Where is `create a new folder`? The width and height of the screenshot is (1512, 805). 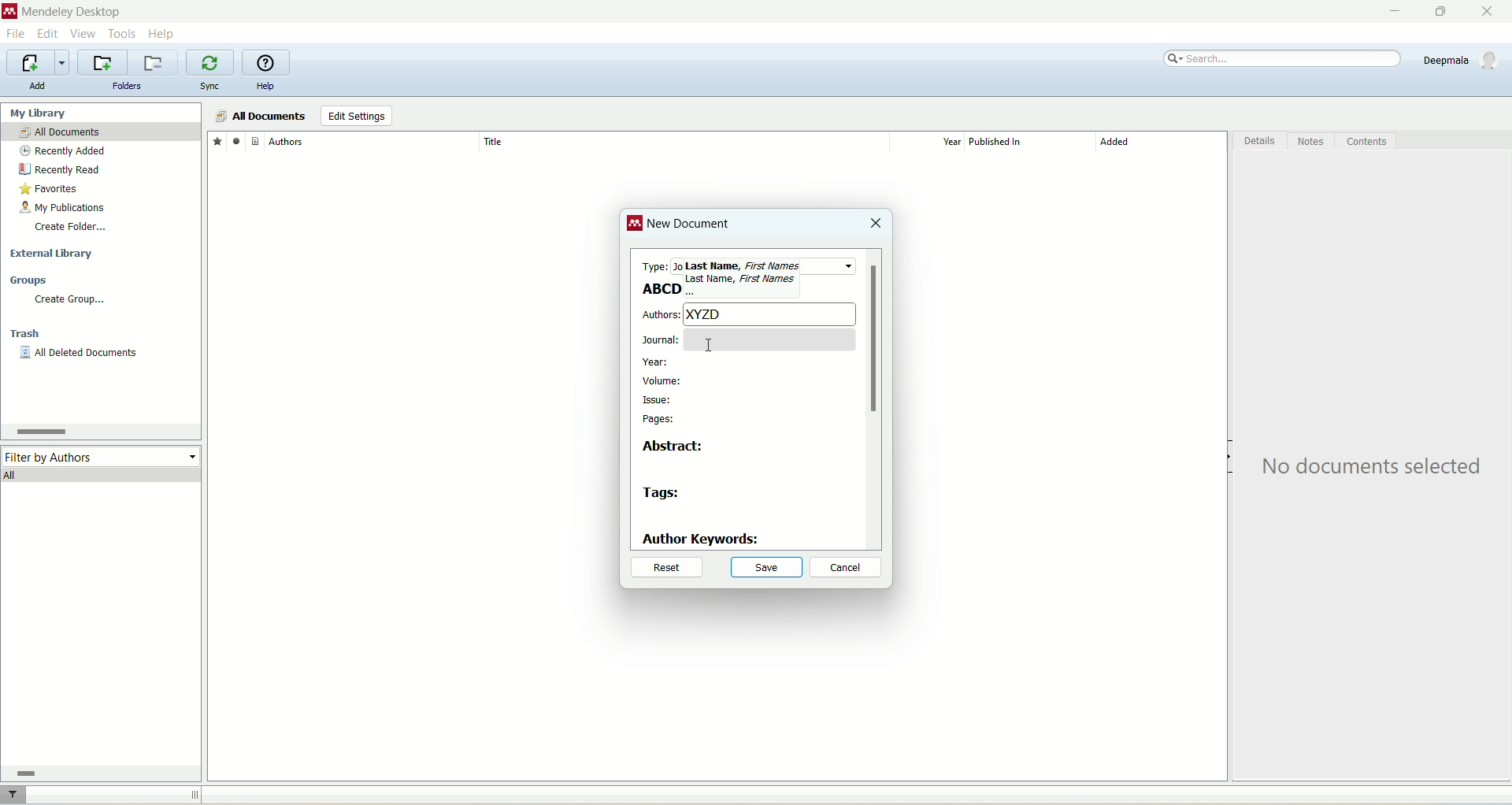
create a new folder is located at coordinates (102, 63).